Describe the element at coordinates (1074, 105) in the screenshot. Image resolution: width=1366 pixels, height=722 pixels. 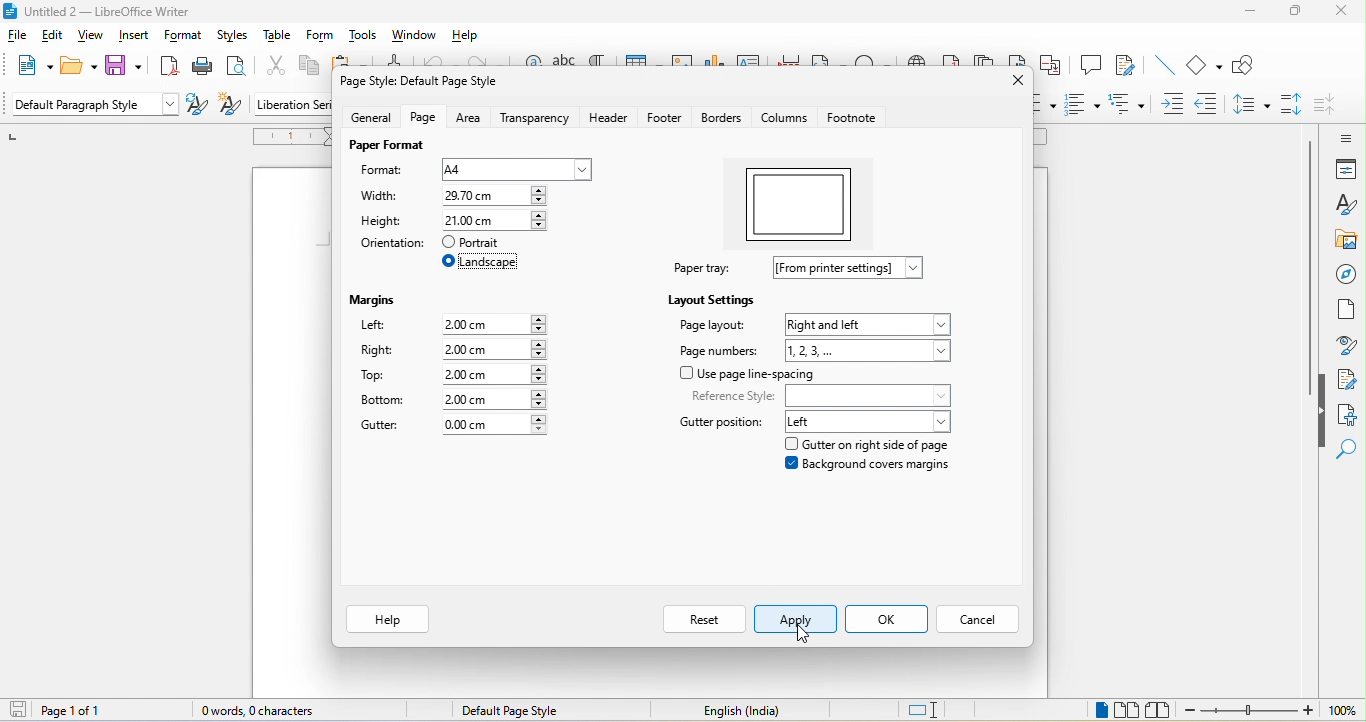
I see `ordered list` at that location.